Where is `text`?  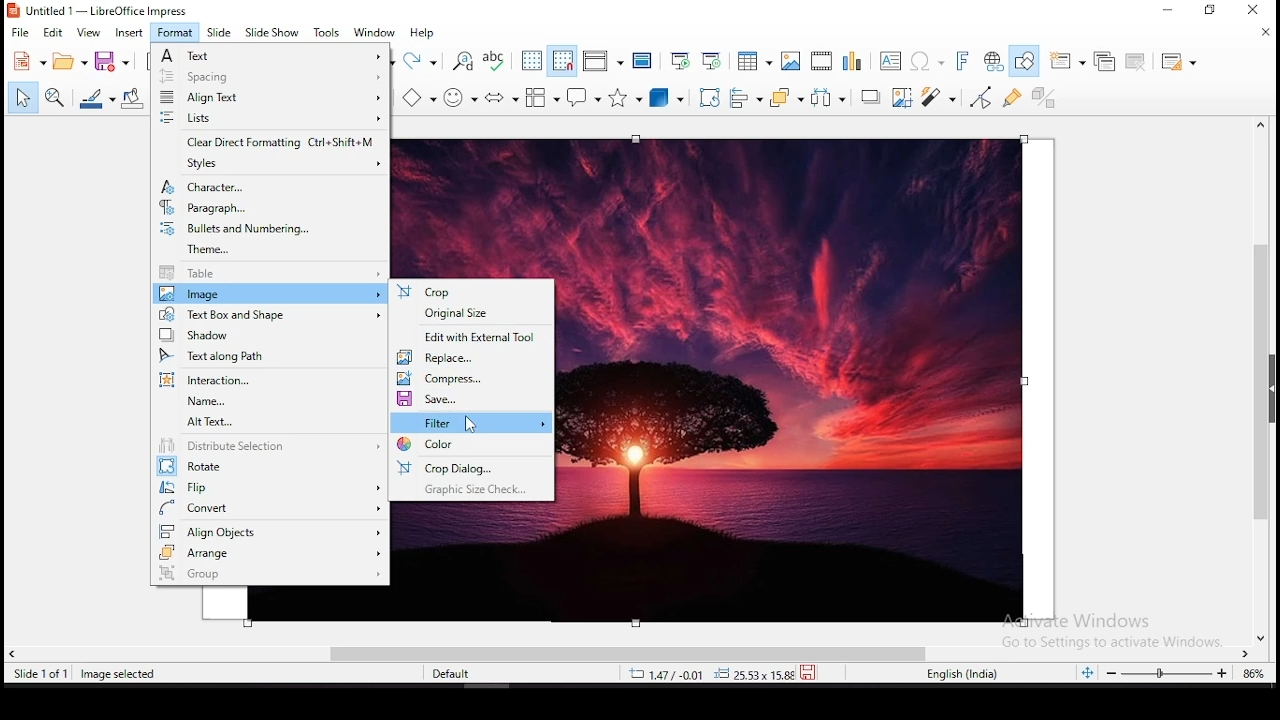
text is located at coordinates (271, 55).